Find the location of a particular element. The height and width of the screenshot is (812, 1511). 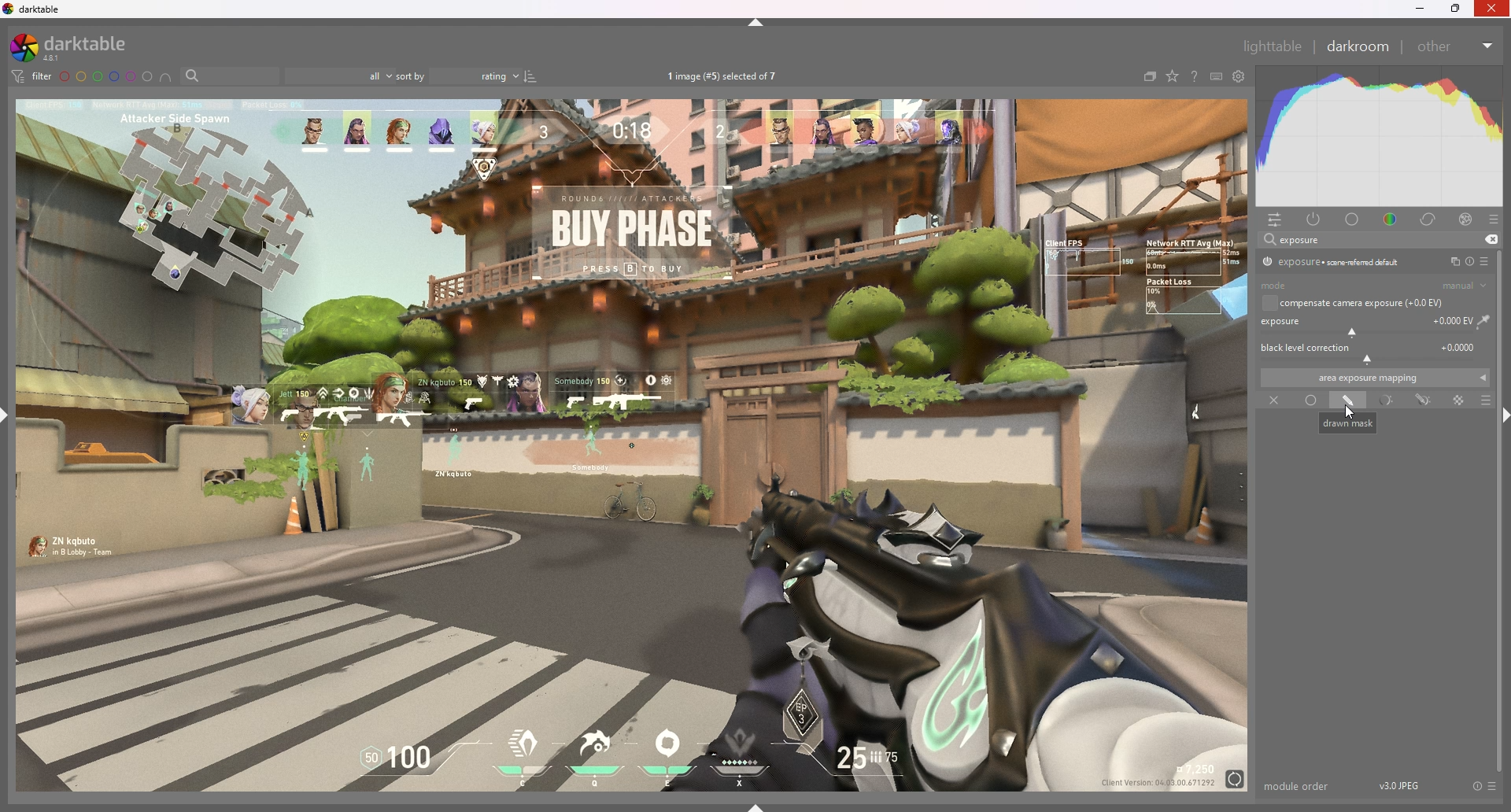

collapse grouped images is located at coordinates (1149, 78).